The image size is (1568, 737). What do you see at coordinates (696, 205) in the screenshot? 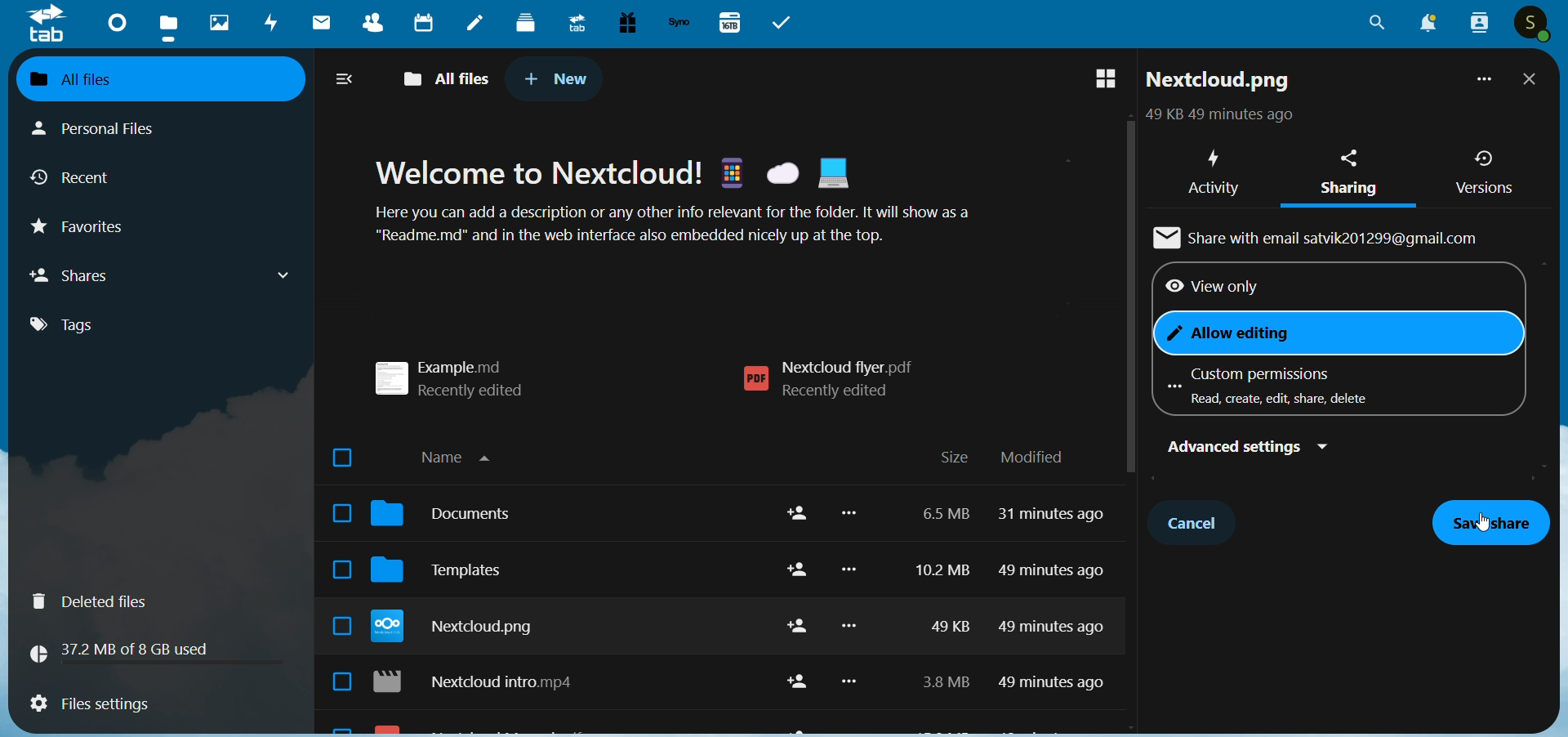
I see `welcome text` at bounding box center [696, 205].